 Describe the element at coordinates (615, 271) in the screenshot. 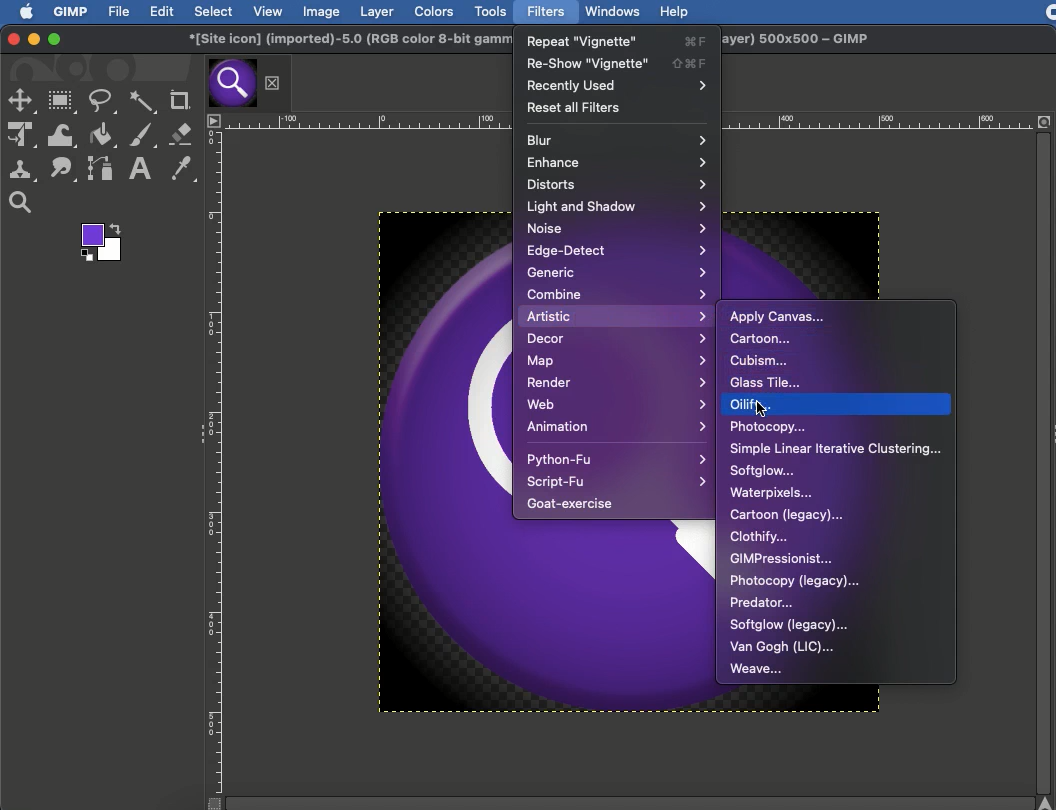

I see `Generic` at that location.